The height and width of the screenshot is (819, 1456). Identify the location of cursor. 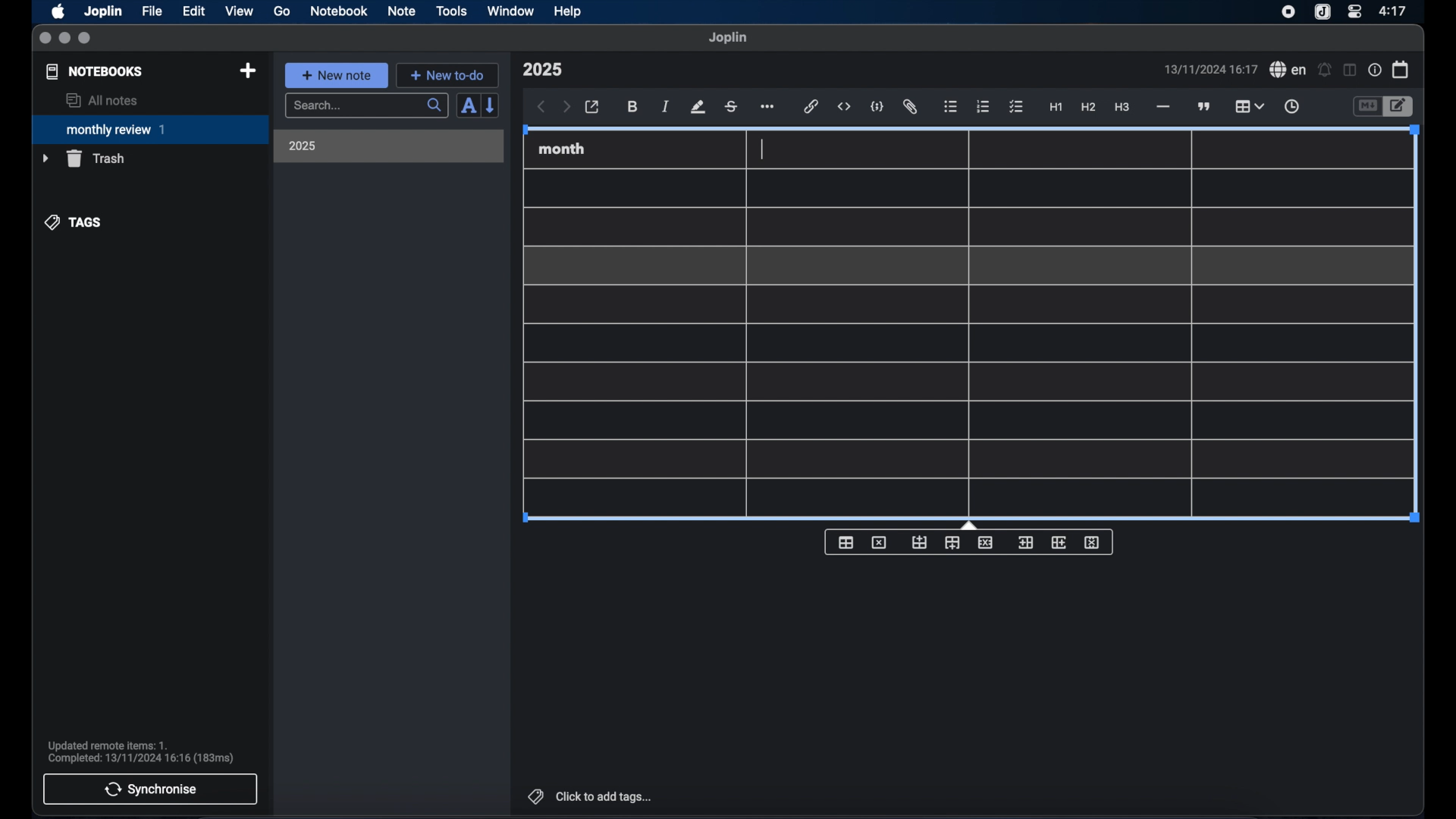
(761, 150).